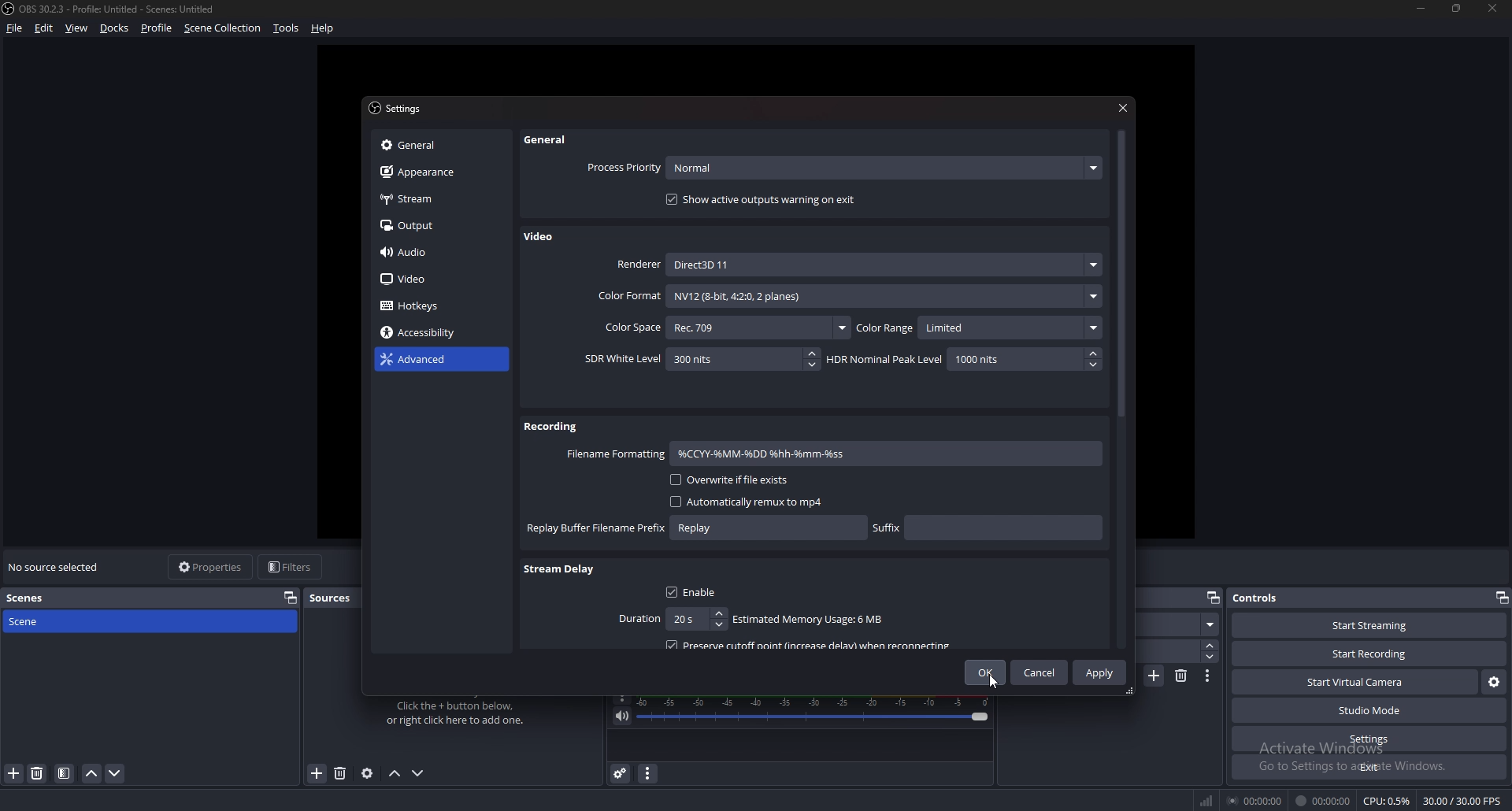 This screenshot has height=811, width=1512. I want to click on NV12(B-bit 4:20. 2 planes), so click(884, 296).